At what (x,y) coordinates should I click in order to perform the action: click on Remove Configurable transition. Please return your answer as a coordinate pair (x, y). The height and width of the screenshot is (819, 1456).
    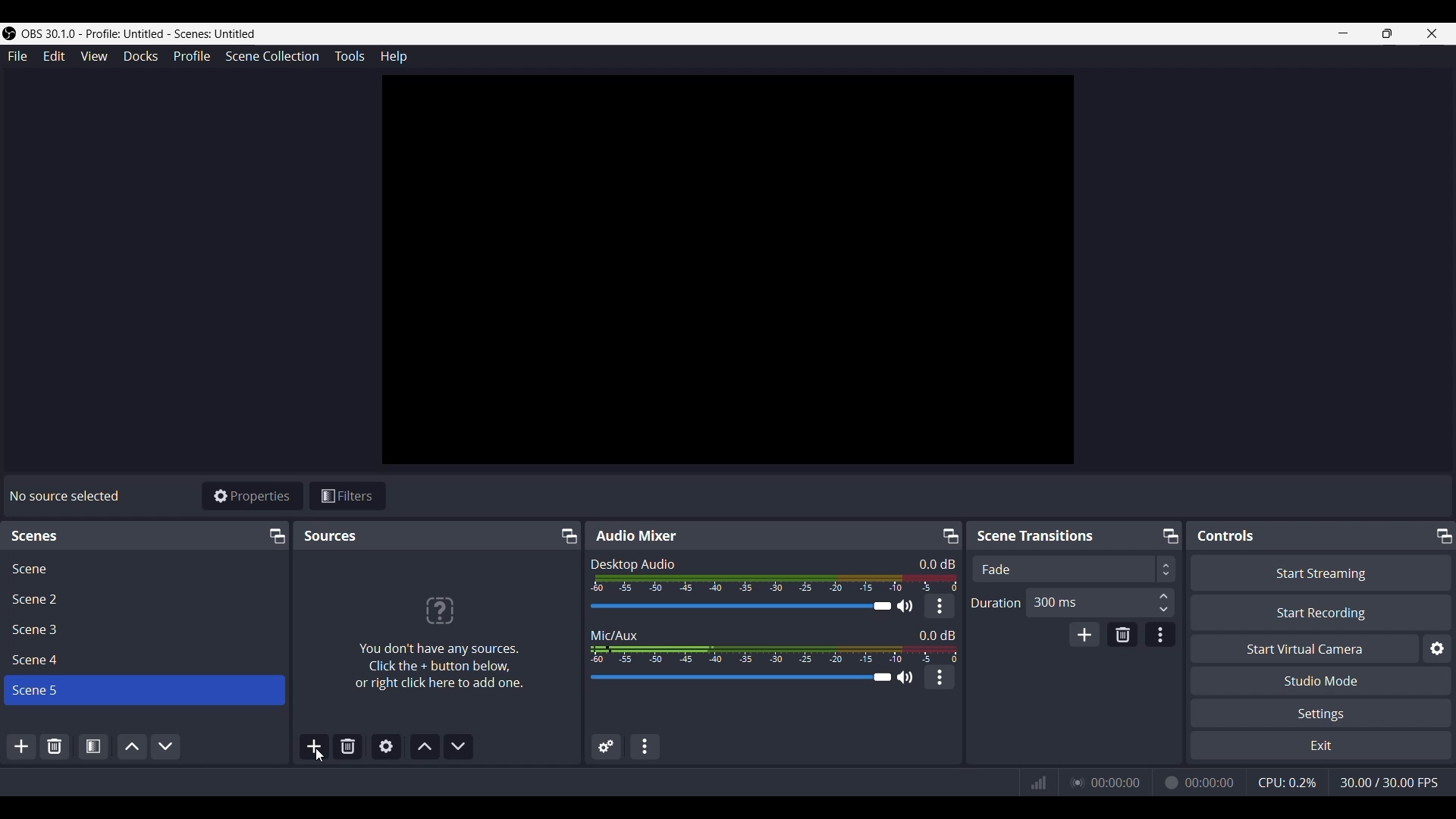
    Looking at the image, I should click on (1122, 634).